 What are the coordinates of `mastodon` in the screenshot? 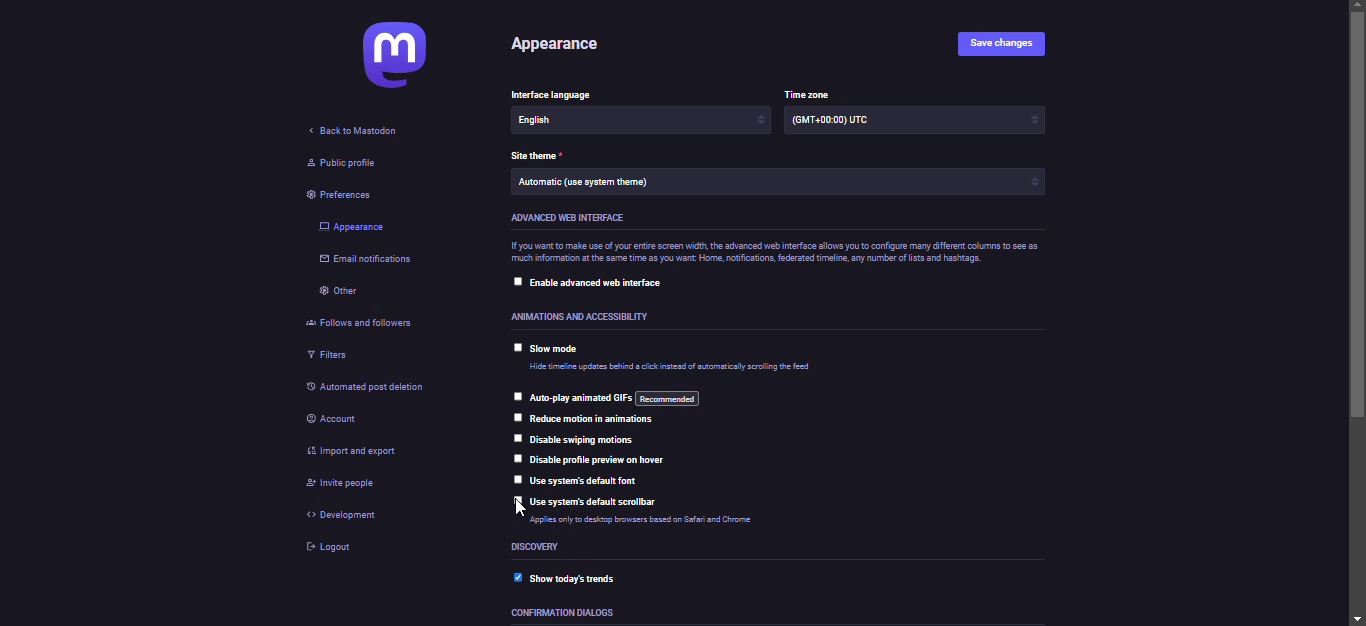 It's located at (405, 62).